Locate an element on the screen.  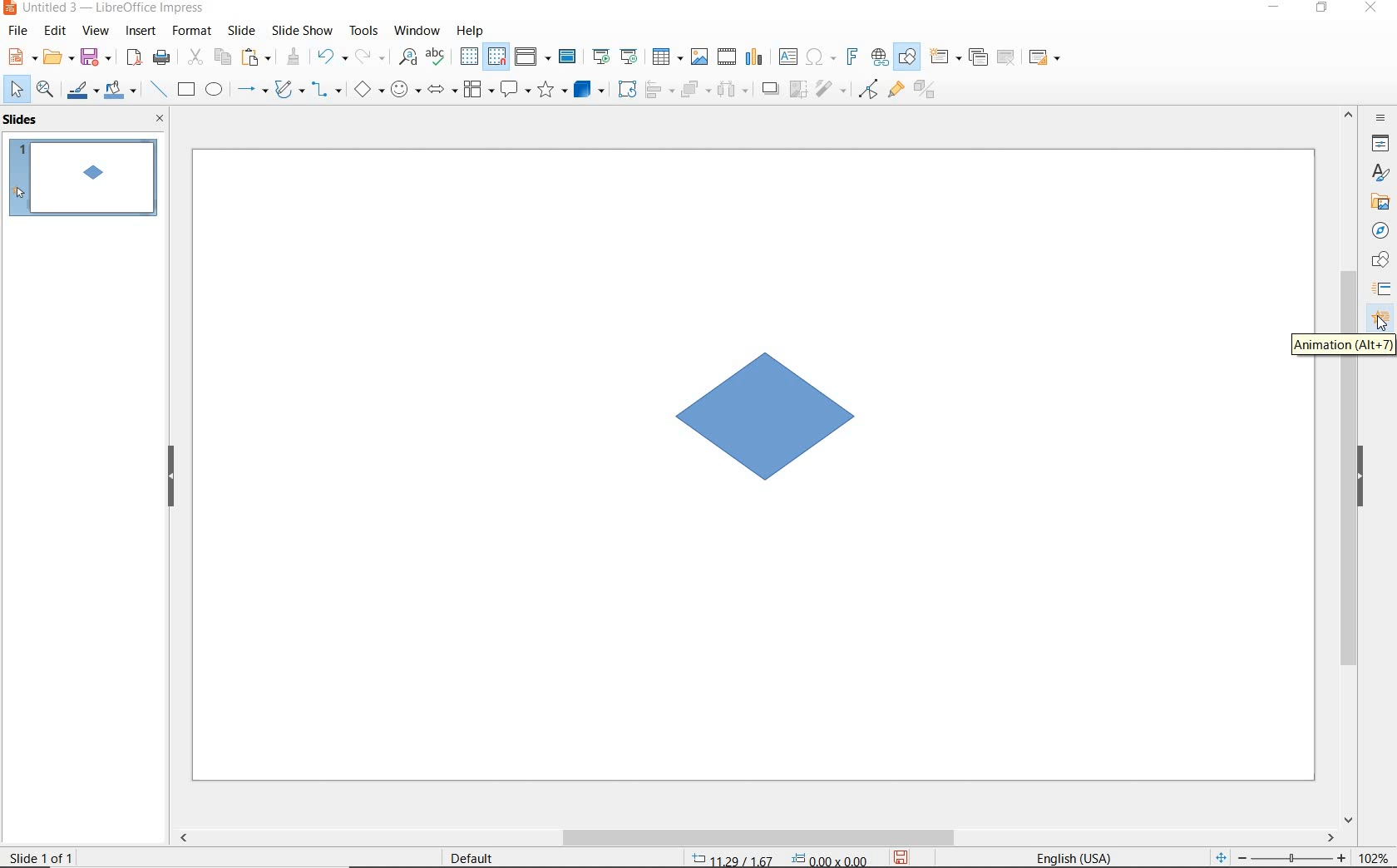
scrollbar is located at coordinates (1347, 589).